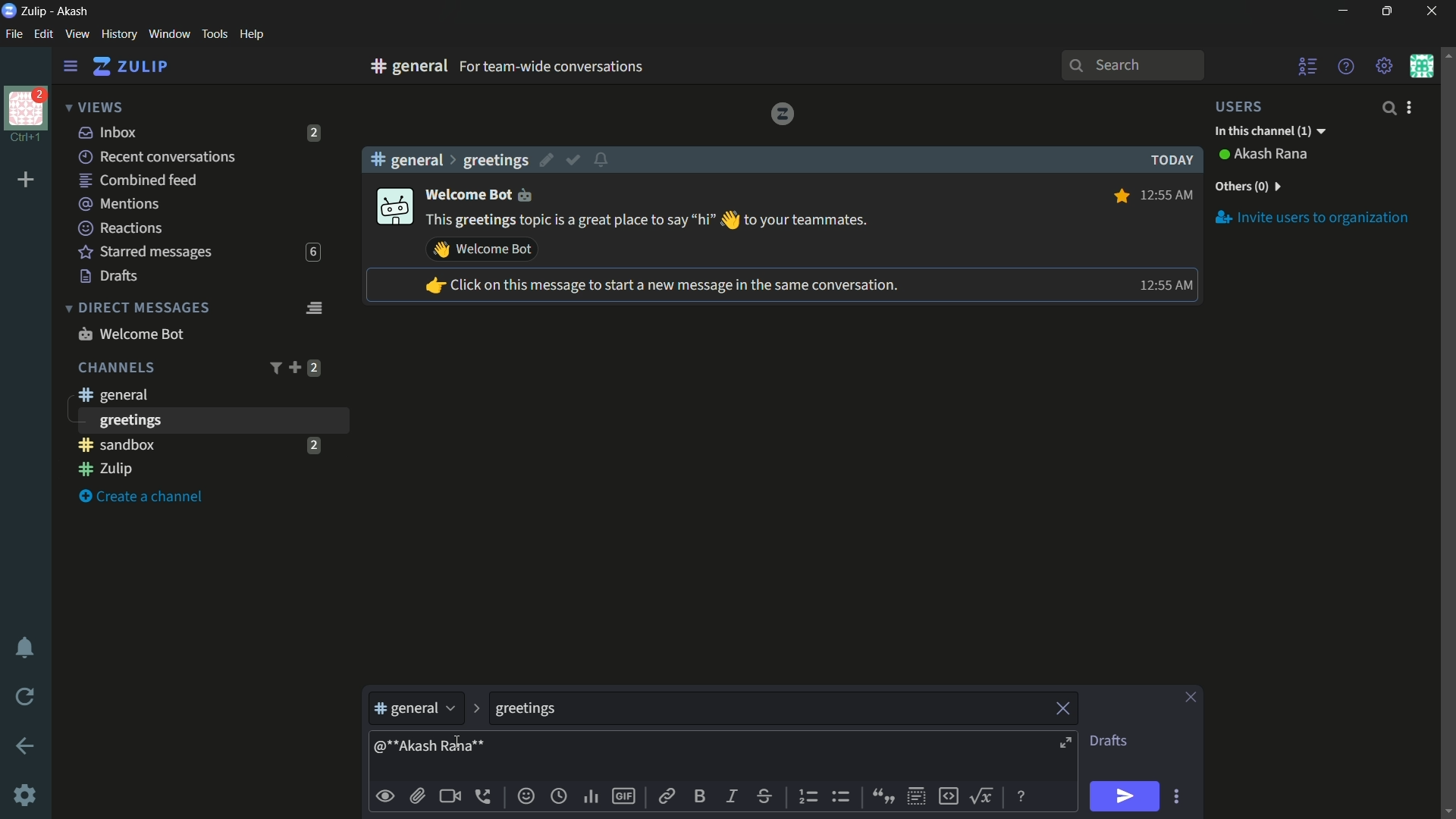 This screenshot has height=819, width=1456. What do you see at coordinates (94, 108) in the screenshot?
I see `views dropdown` at bounding box center [94, 108].